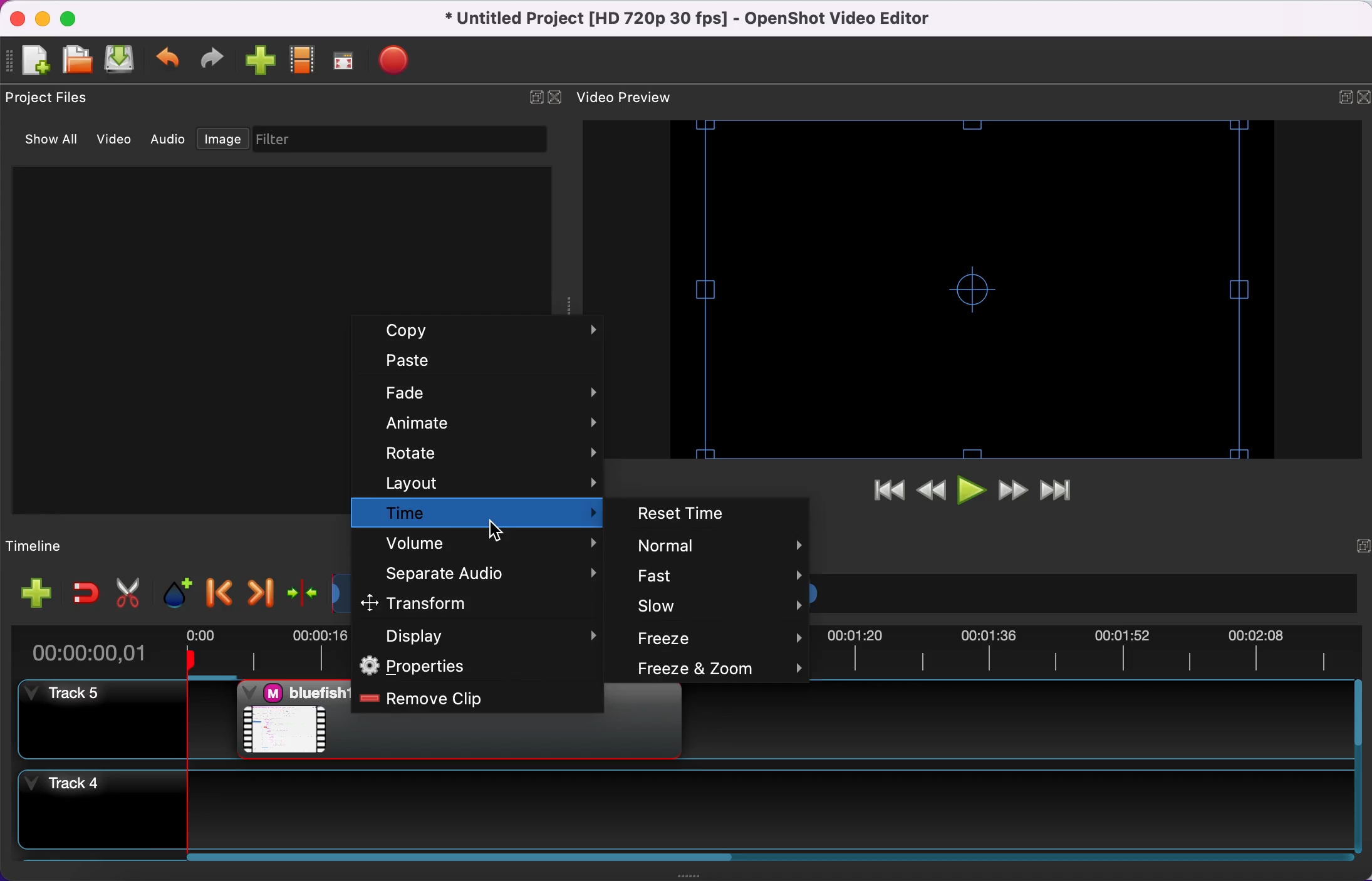 Image resolution: width=1372 pixels, height=881 pixels. What do you see at coordinates (721, 638) in the screenshot?
I see `freeze` at bounding box center [721, 638].